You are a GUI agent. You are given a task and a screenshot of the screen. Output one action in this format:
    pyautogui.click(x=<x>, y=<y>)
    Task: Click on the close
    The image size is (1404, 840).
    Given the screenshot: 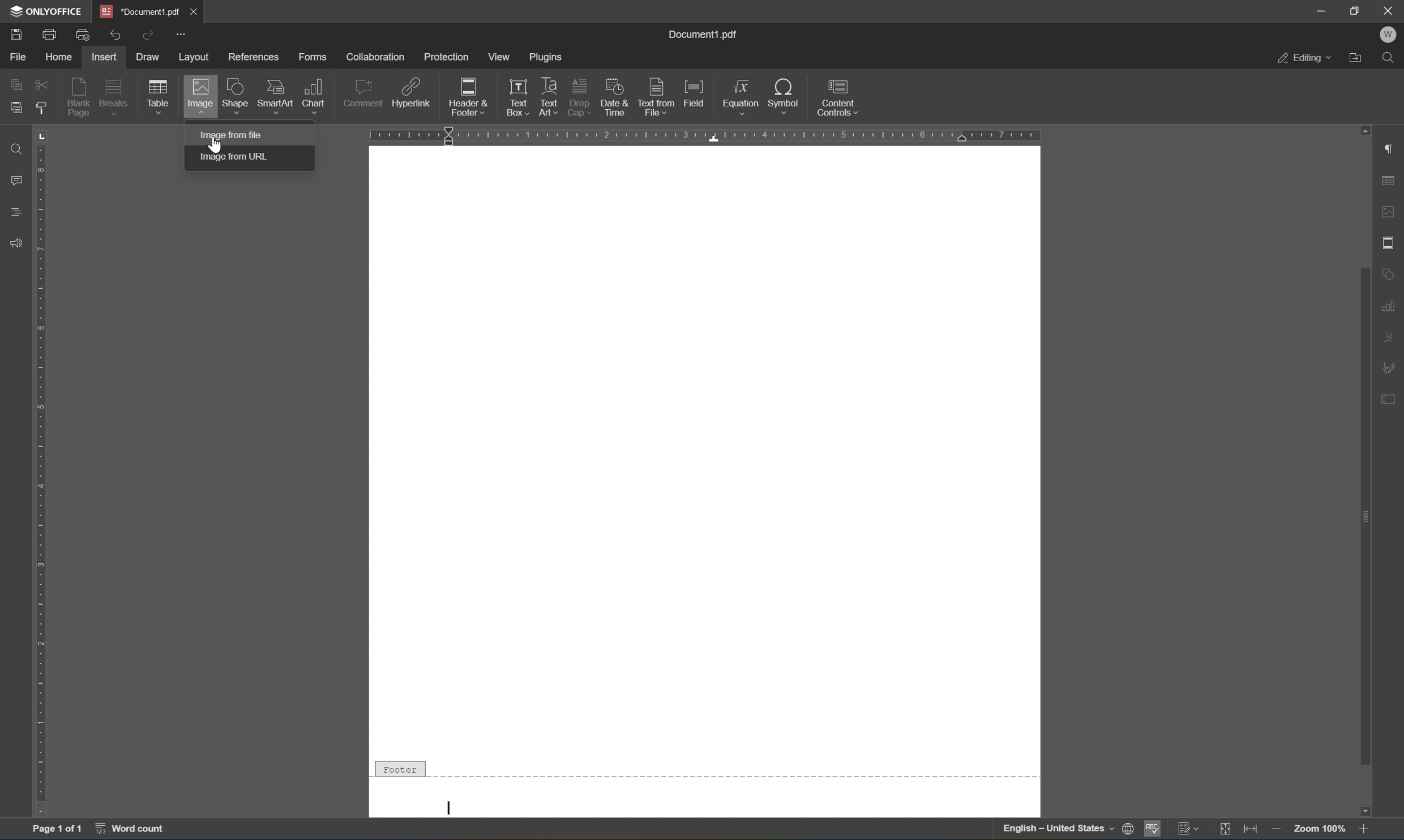 What is the action you would take?
    pyautogui.click(x=203, y=14)
    